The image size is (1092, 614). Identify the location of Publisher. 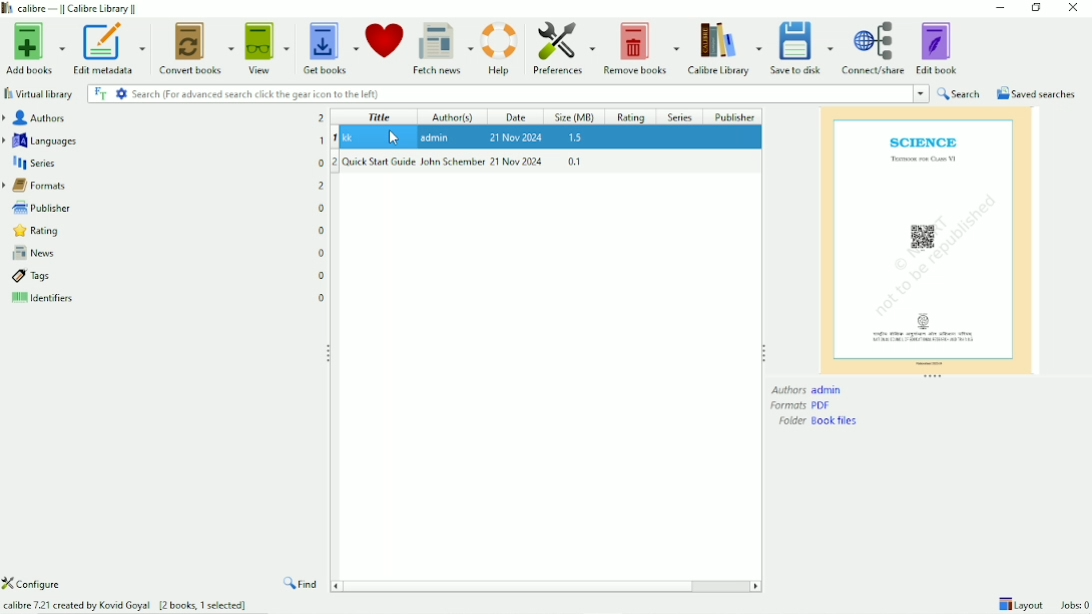
(735, 116).